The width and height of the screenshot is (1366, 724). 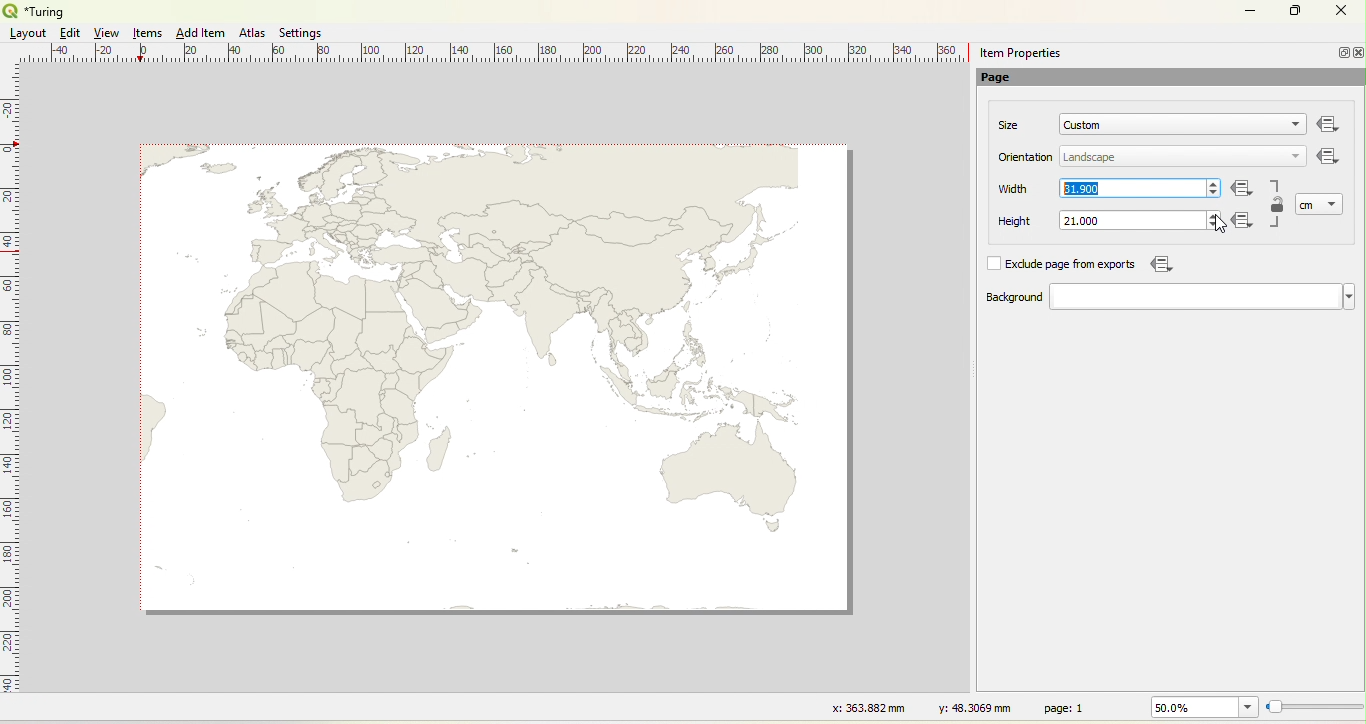 What do you see at coordinates (149, 34) in the screenshot?
I see `Items` at bounding box center [149, 34].